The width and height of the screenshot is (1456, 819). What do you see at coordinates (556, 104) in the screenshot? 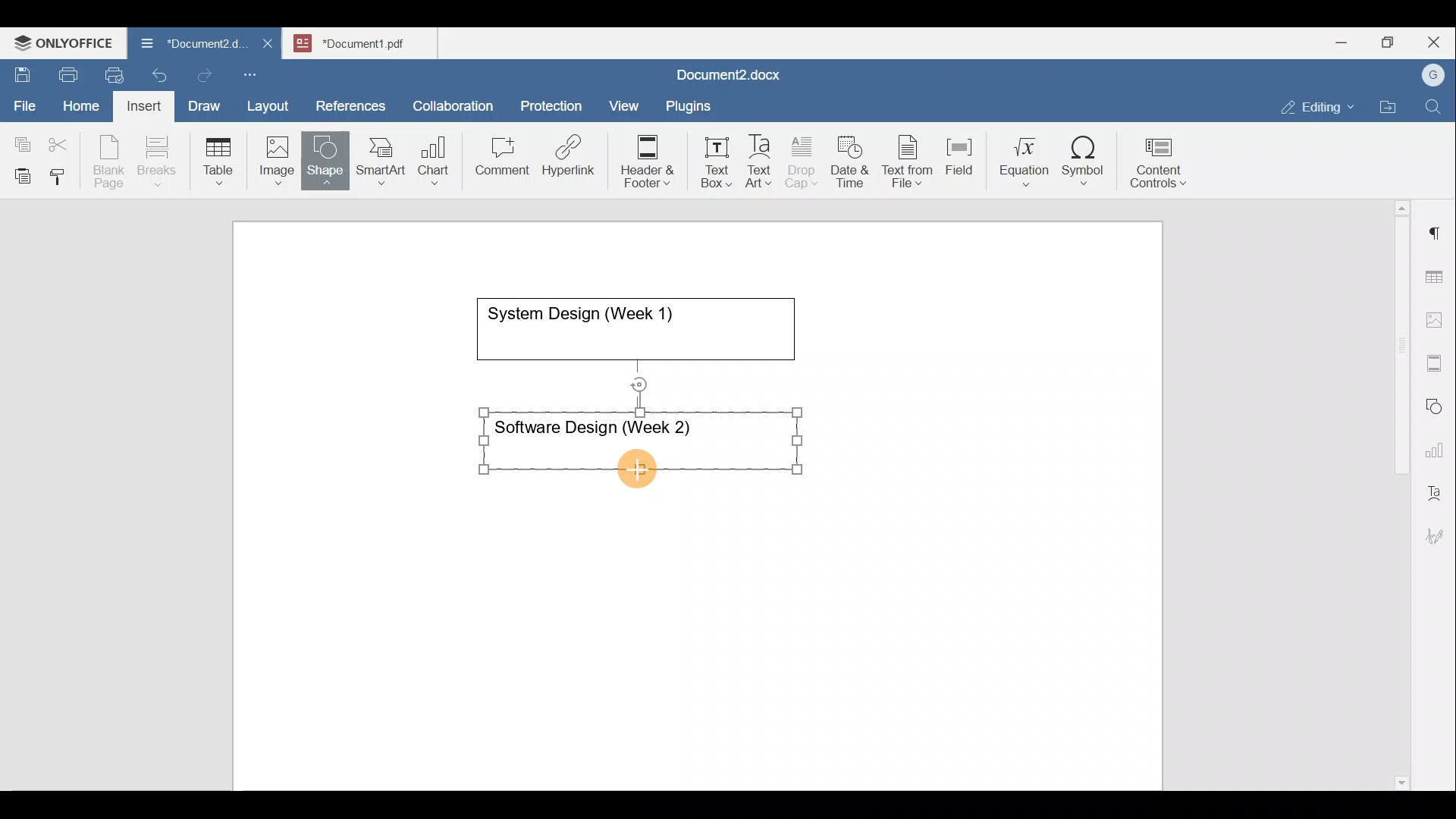
I see `Protection` at bounding box center [556, 104].